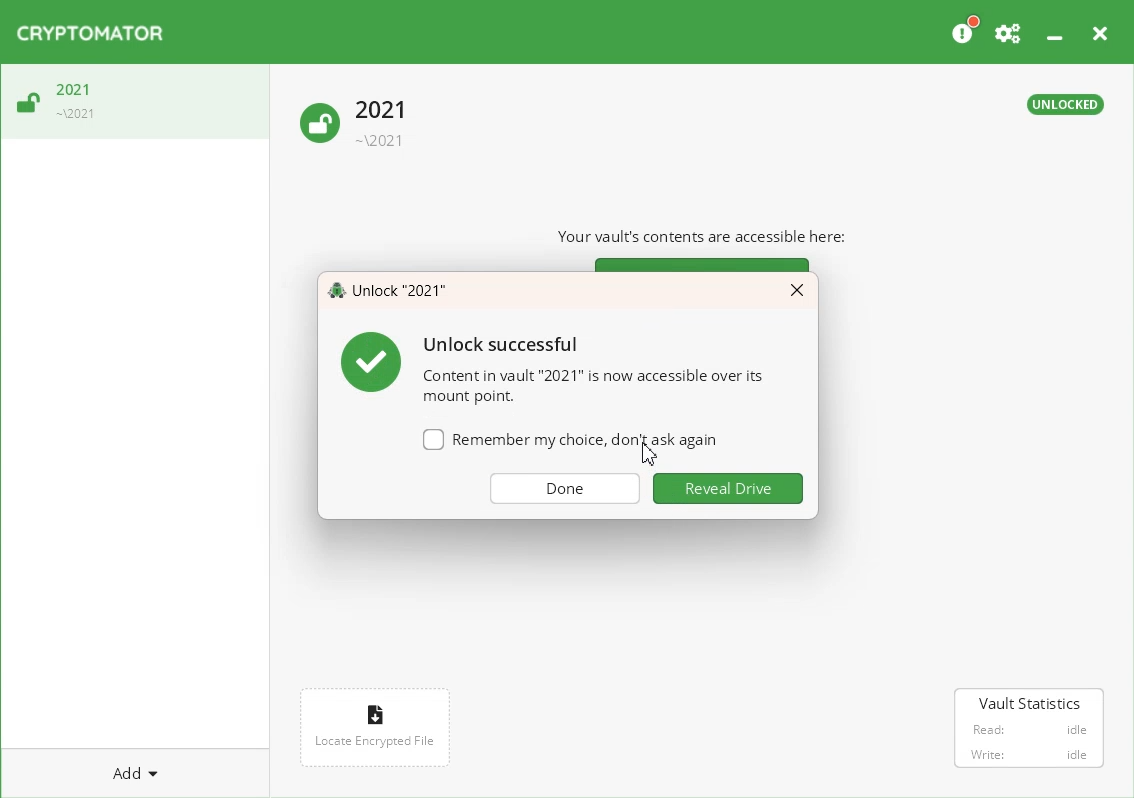  What do you see at coordinates (1067, 105) in the screenshot?
I see `Text` at bounding box center [1067, 105].